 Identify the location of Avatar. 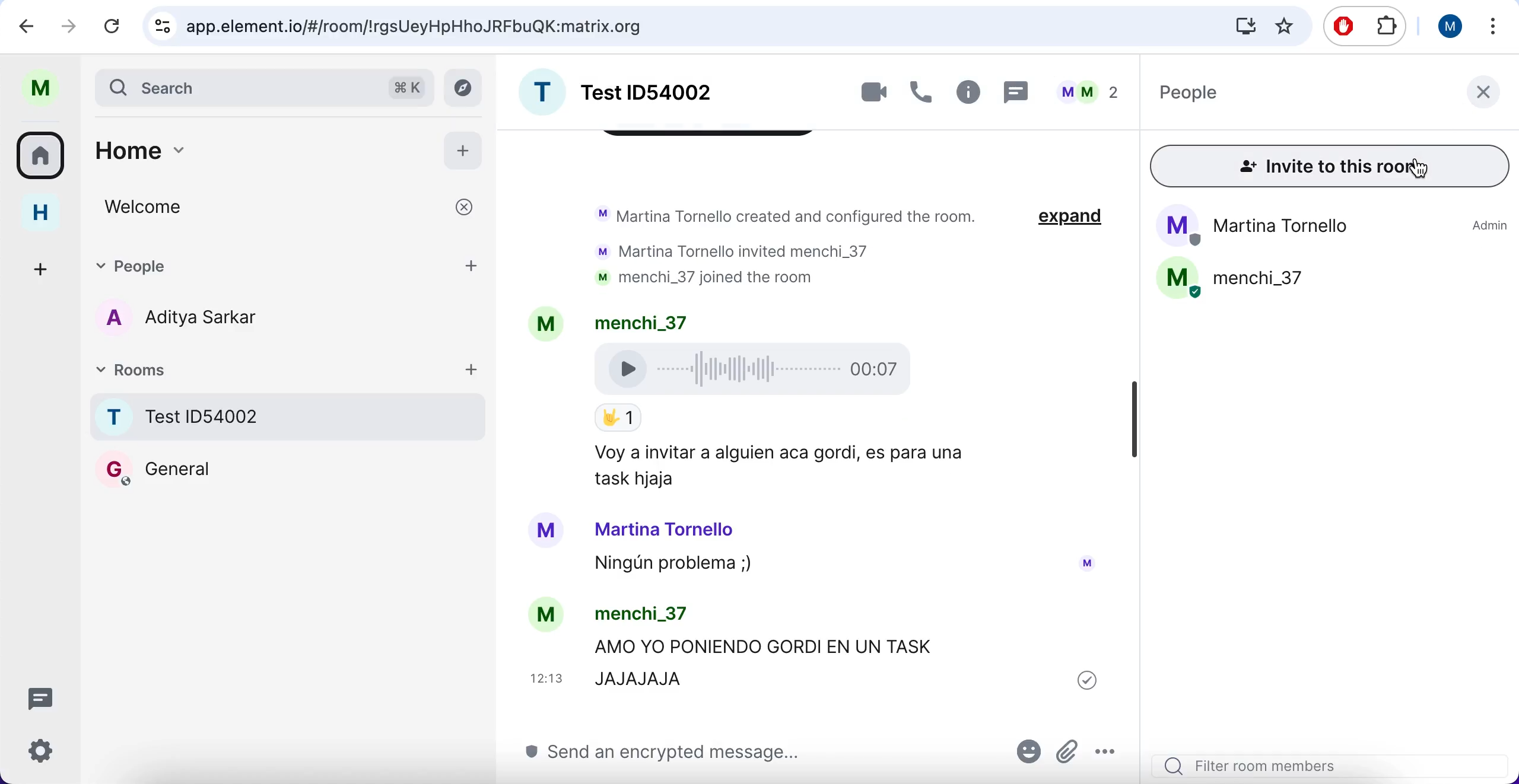
(1089, 562).